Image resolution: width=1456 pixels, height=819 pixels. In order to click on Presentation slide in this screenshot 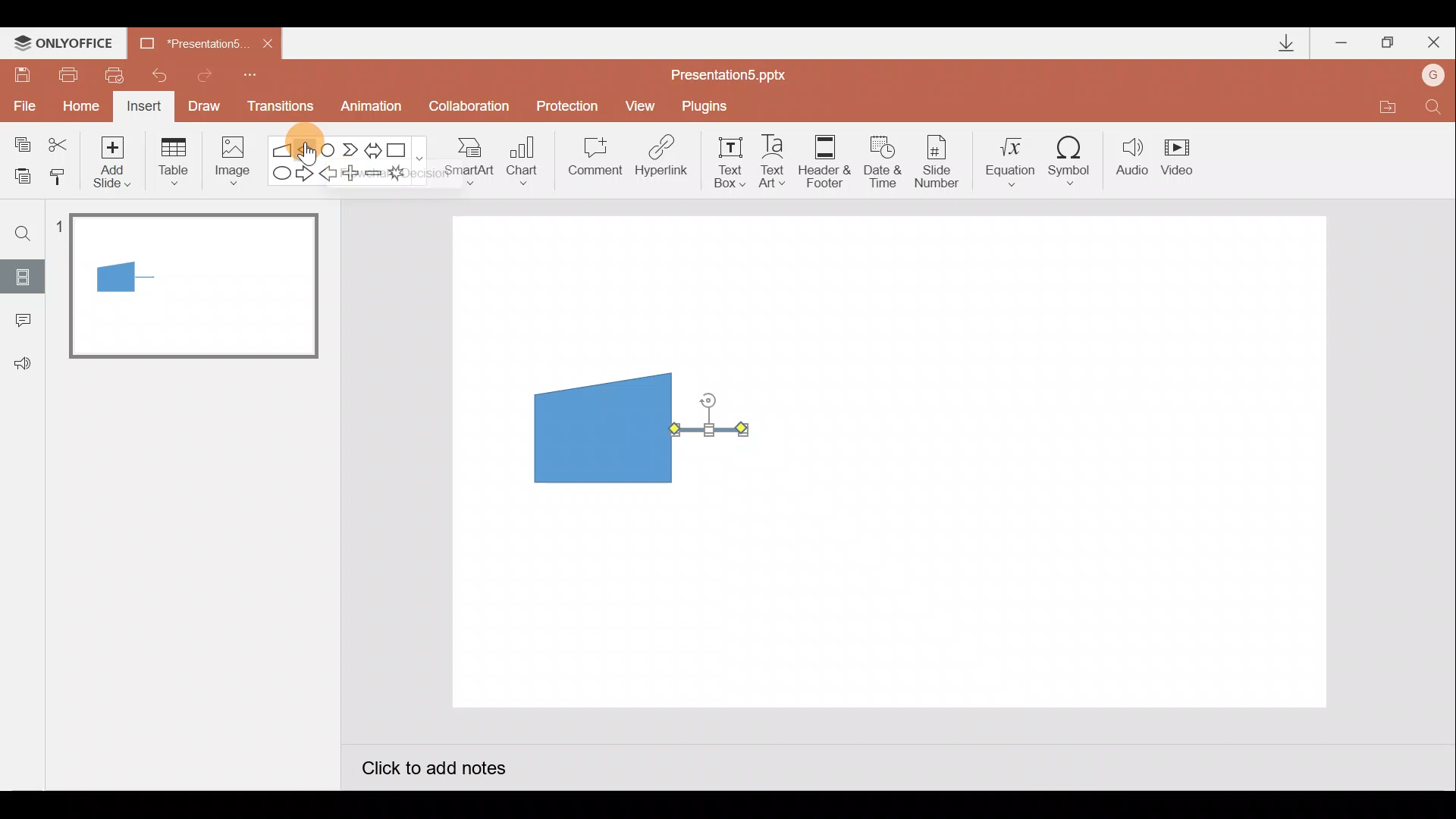, I will do `click(1037, 461)`.